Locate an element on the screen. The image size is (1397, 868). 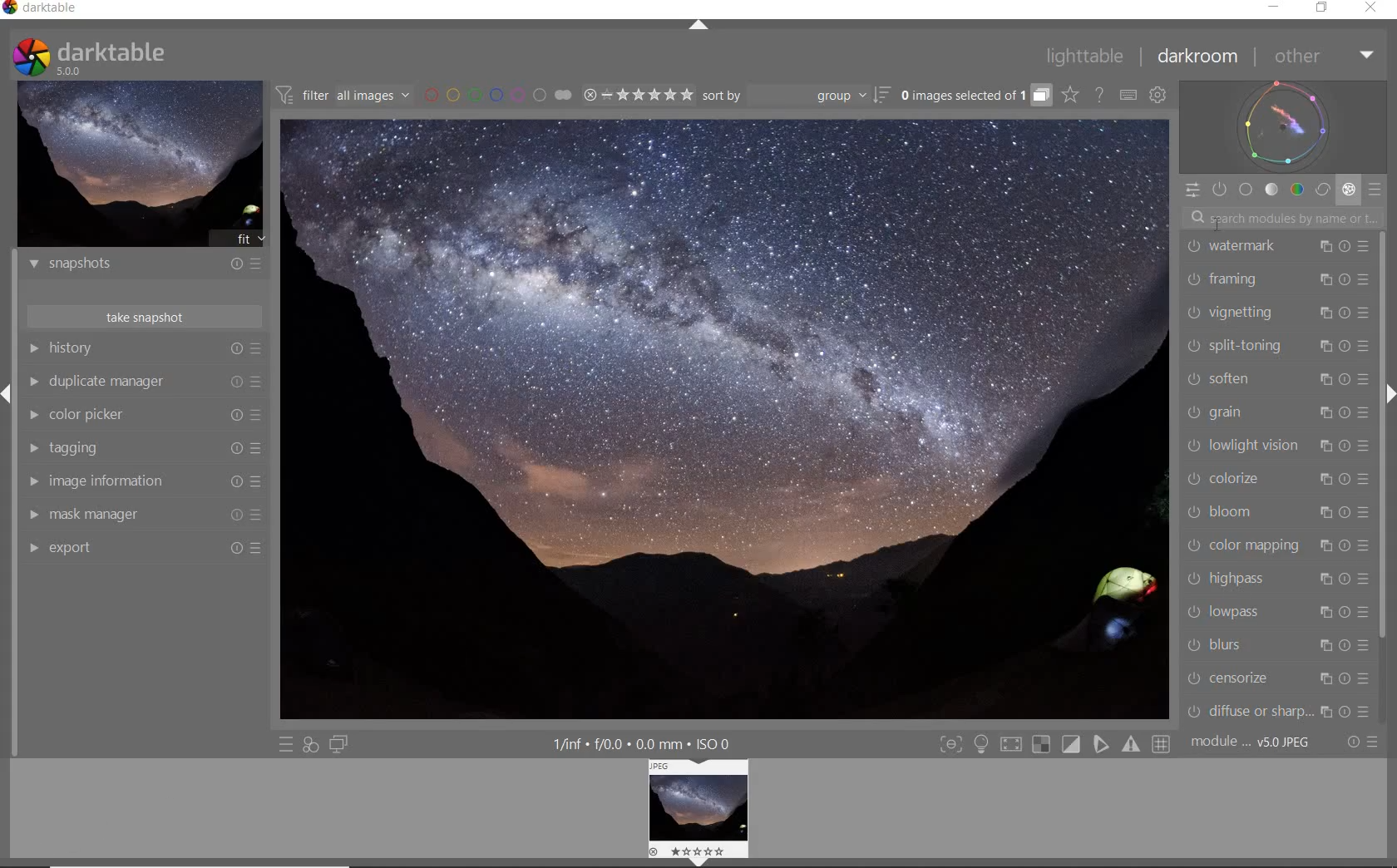
Sort by dropdown: group is located at coordinates (784, 100).